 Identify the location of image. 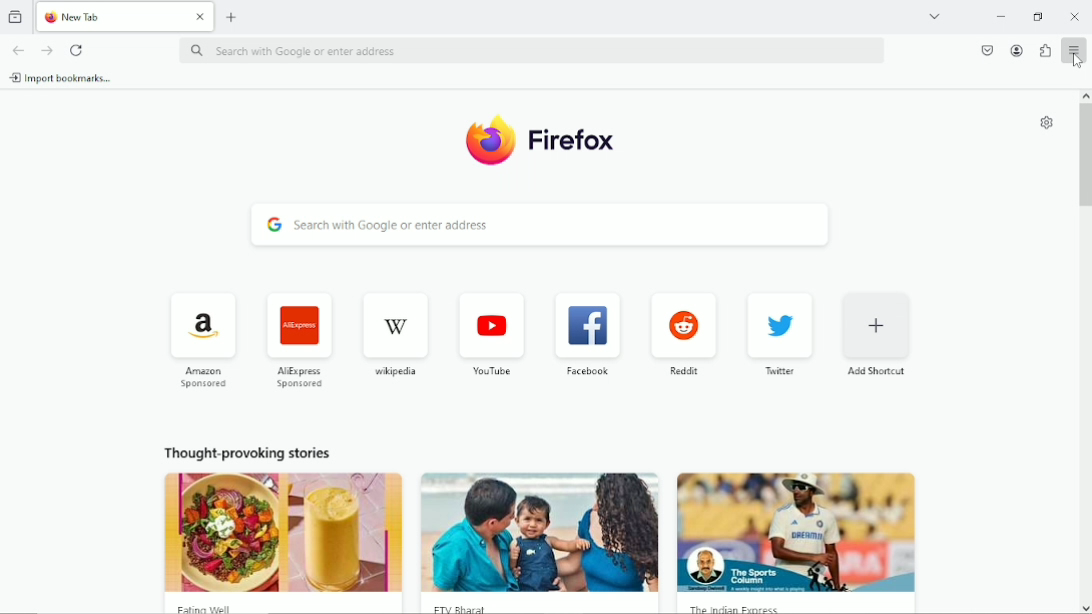
(541, 533).